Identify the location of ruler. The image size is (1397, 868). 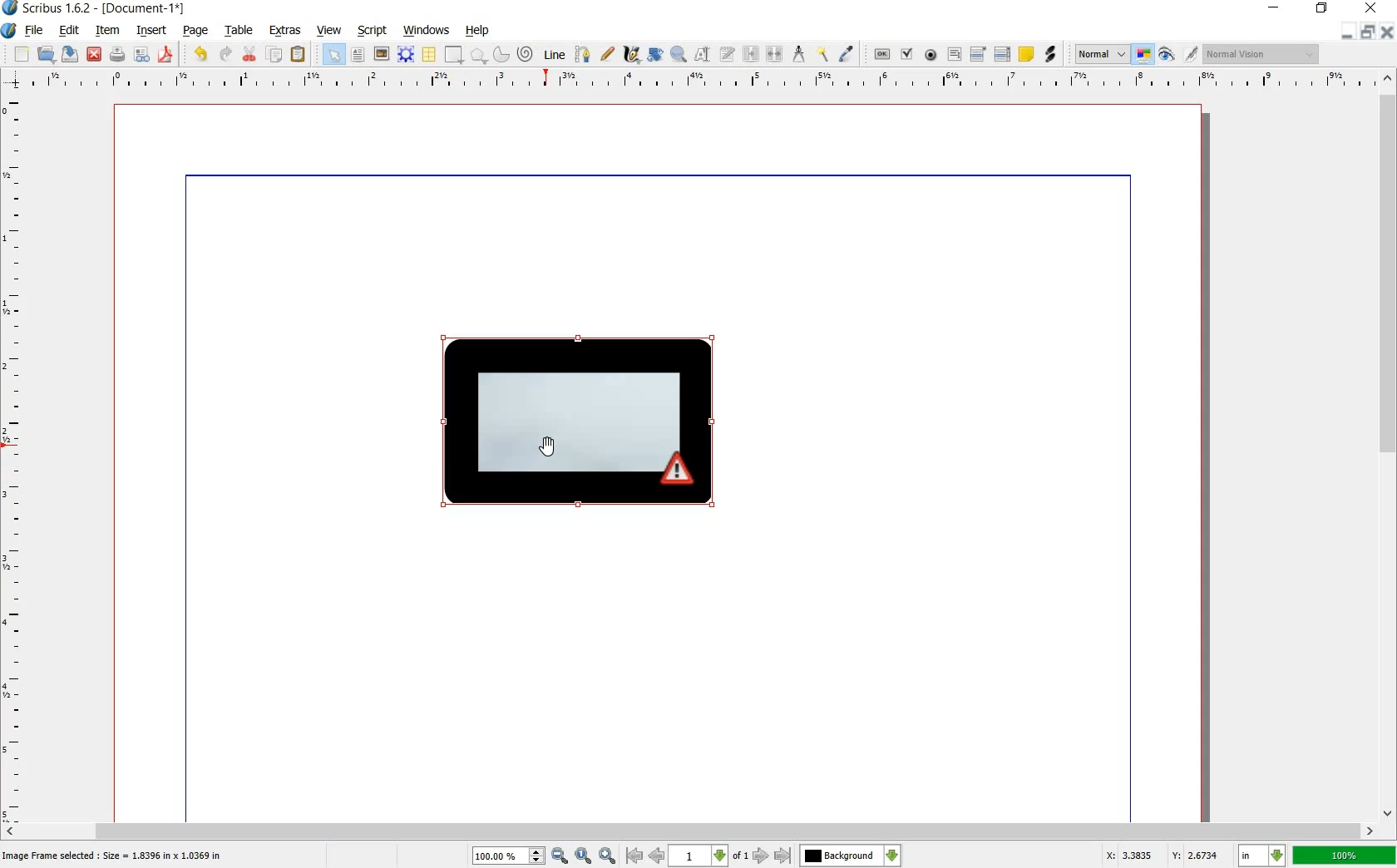
(19, 457).